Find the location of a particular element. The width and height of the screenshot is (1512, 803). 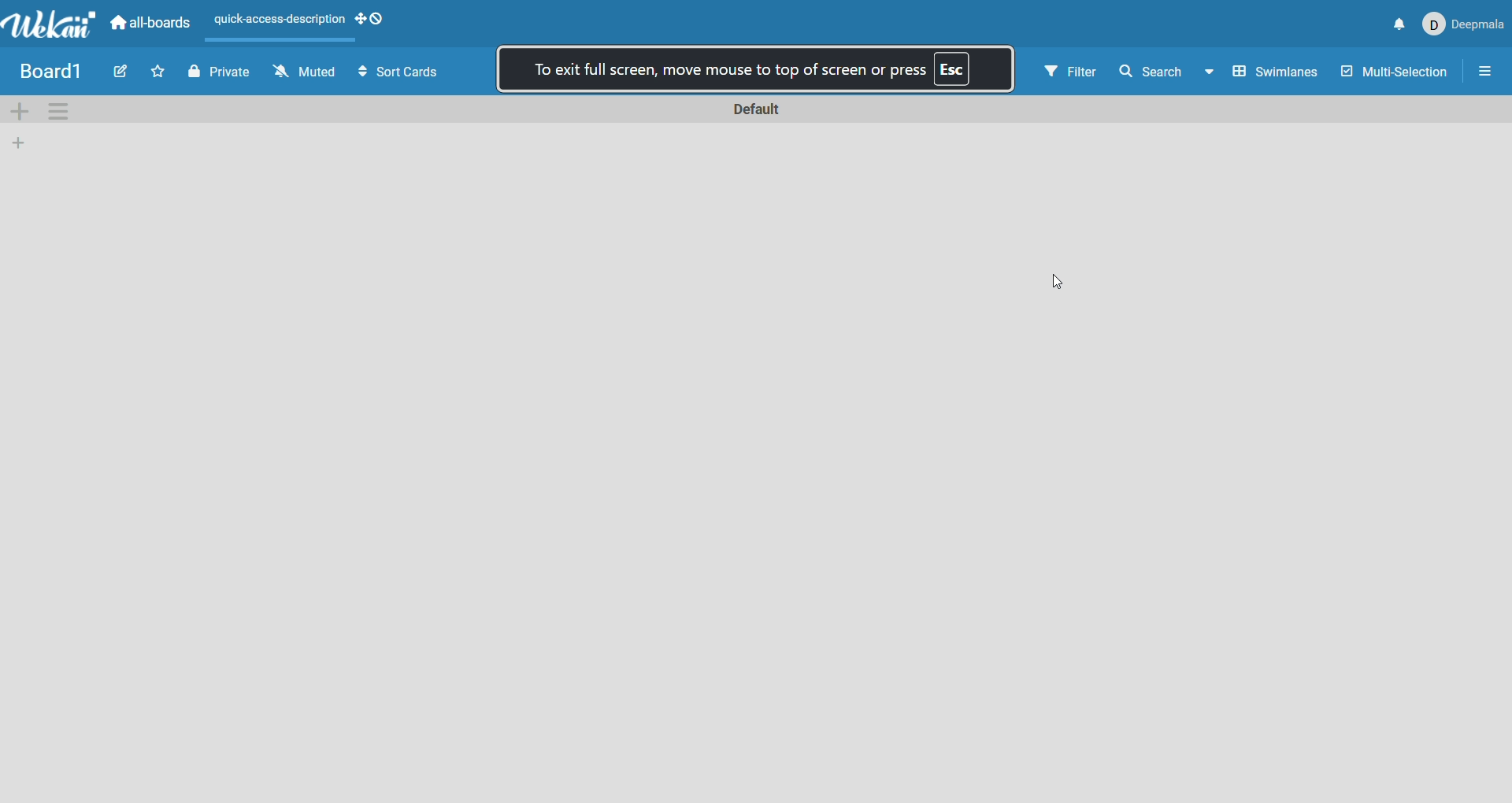

all boards is located at coordinates (147, 27).